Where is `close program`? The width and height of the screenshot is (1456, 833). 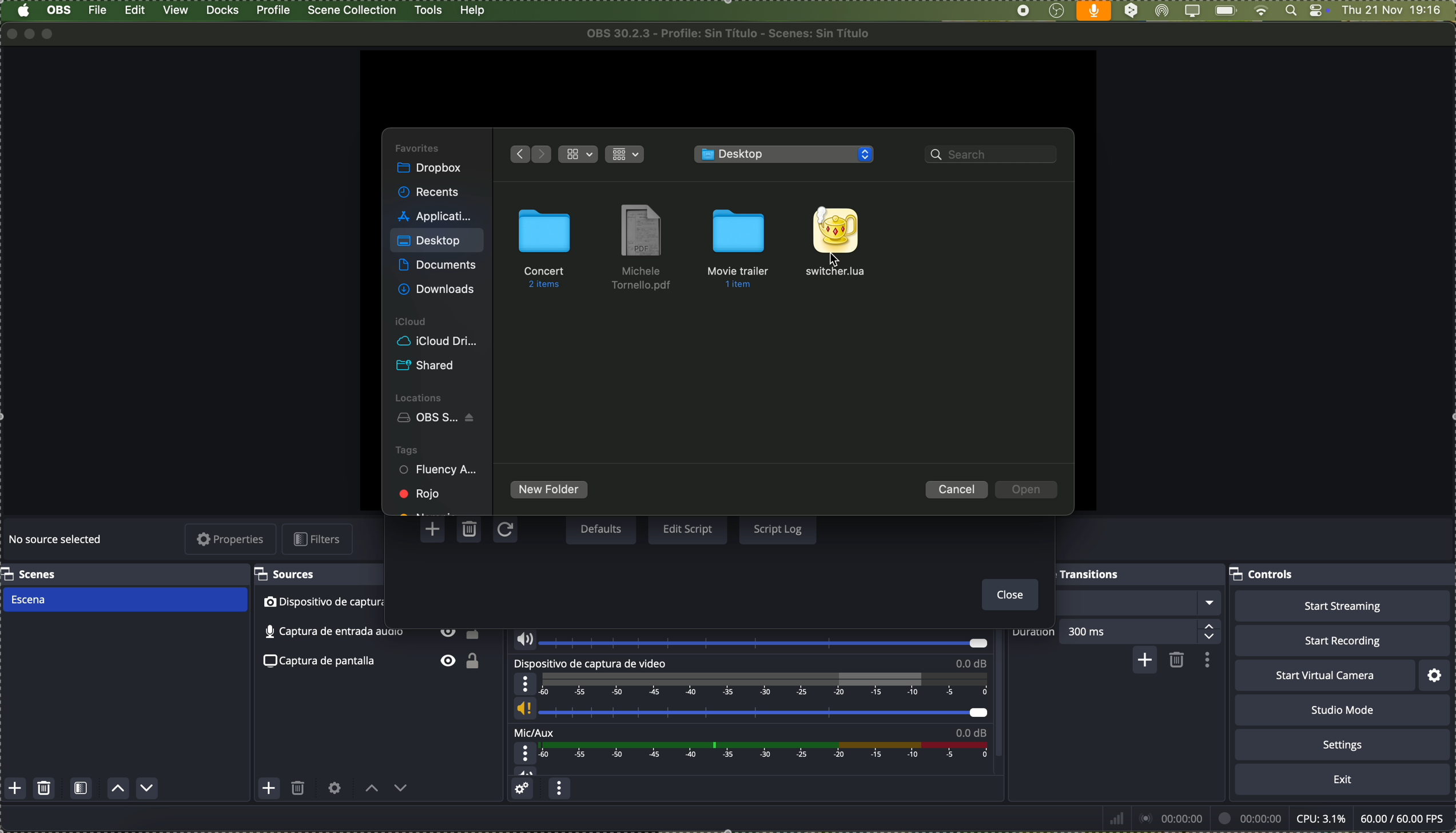
close program is located at coordinates (9, 33).